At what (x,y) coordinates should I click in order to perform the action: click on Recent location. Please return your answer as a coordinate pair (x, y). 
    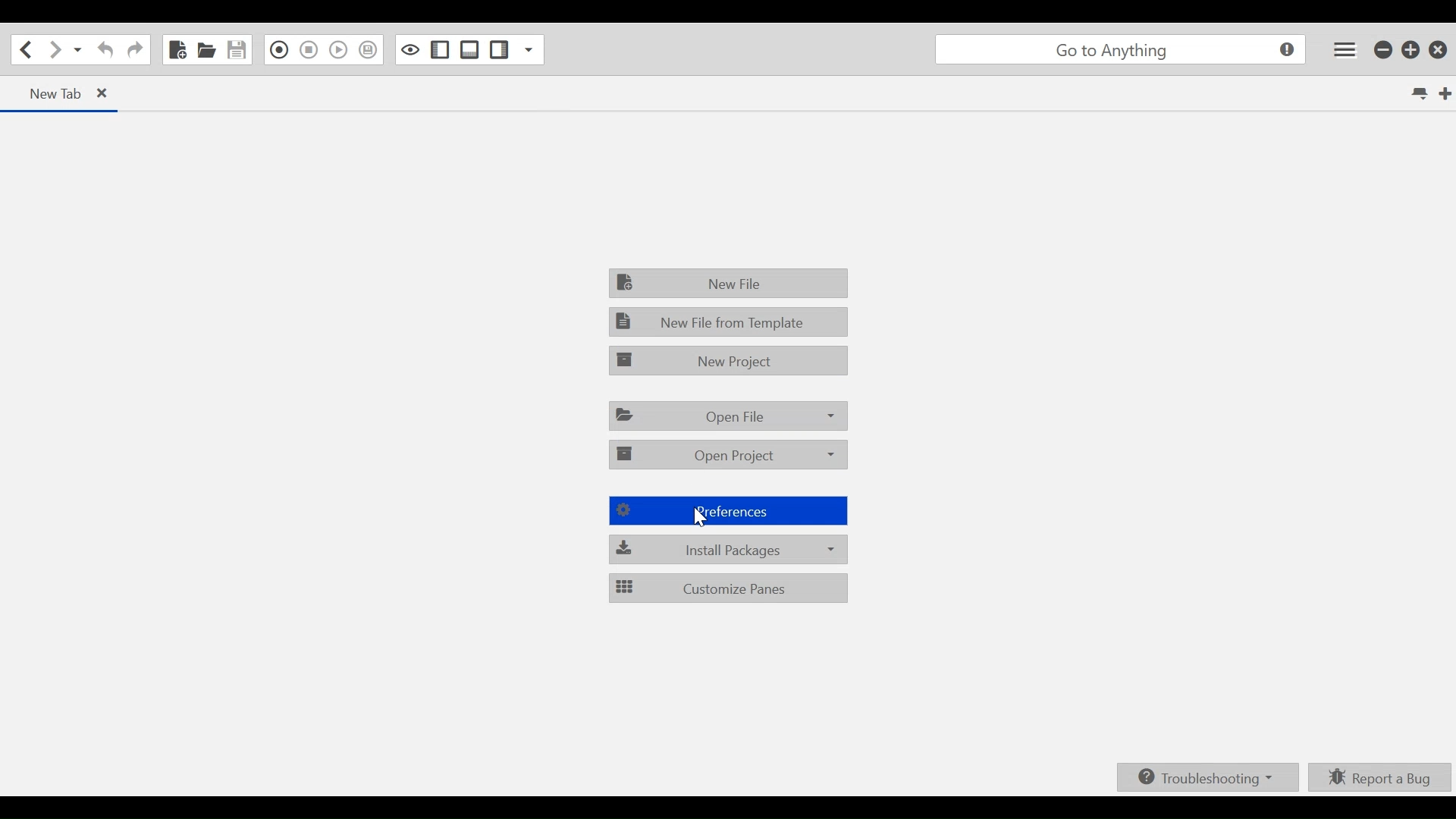
    Looking at the image, I should click on (78, 51).